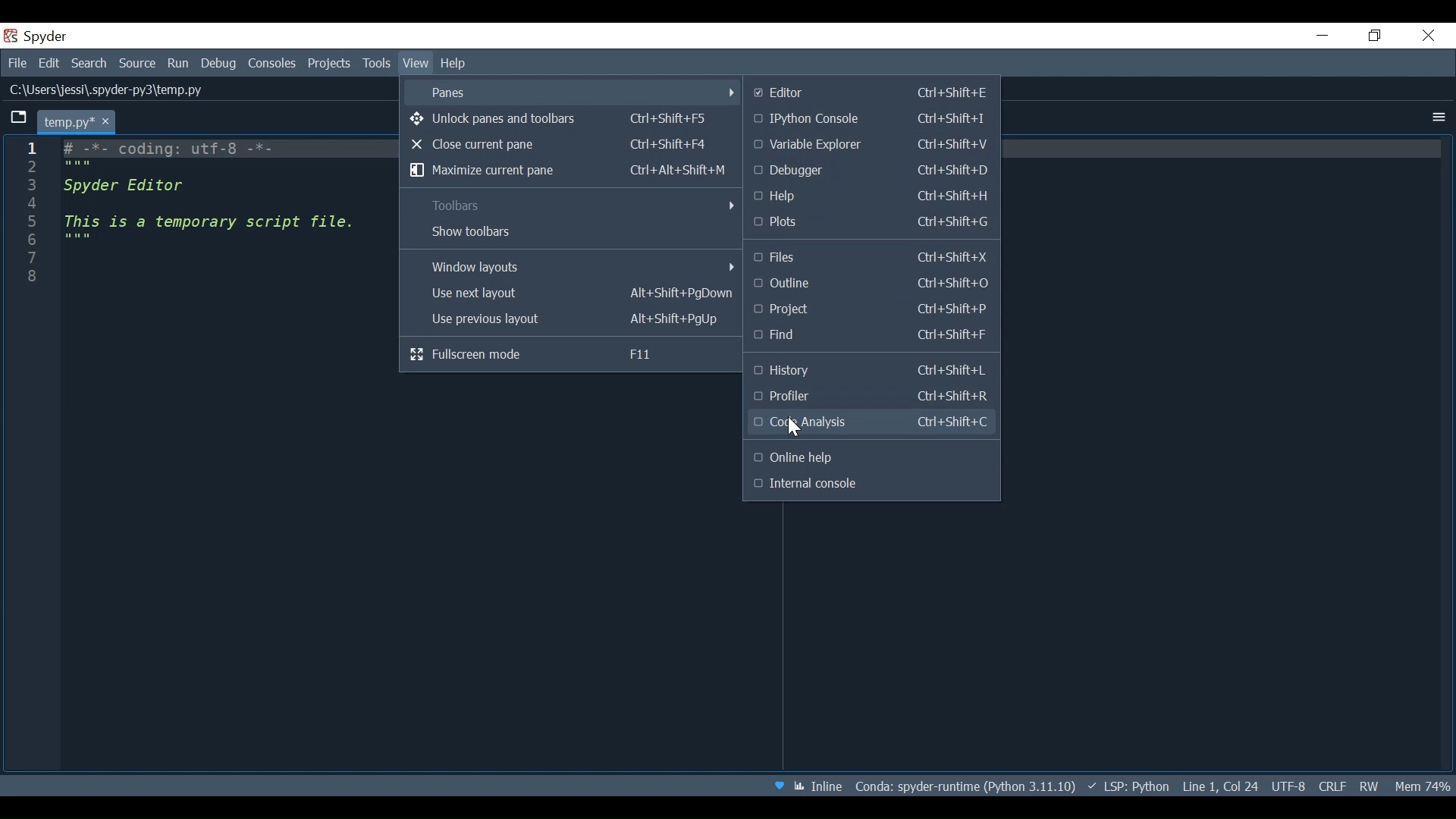 The width and height of the screenshot is (1456, 819). I want to click on File EQL Status, so click(1327, 786).